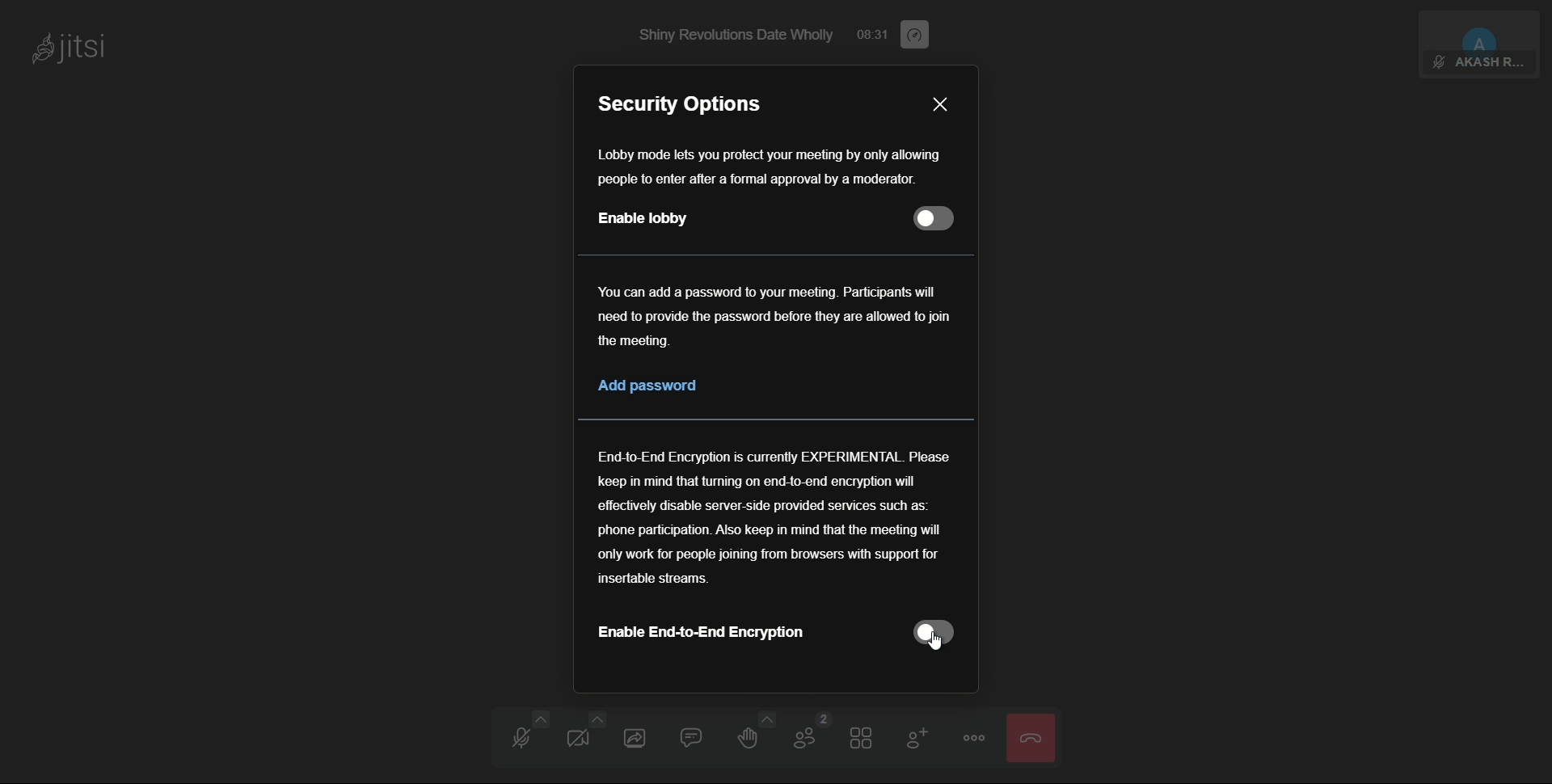  Describe the element at coordinates (581, 736) in the screenshot. I see `camera off` at that location.